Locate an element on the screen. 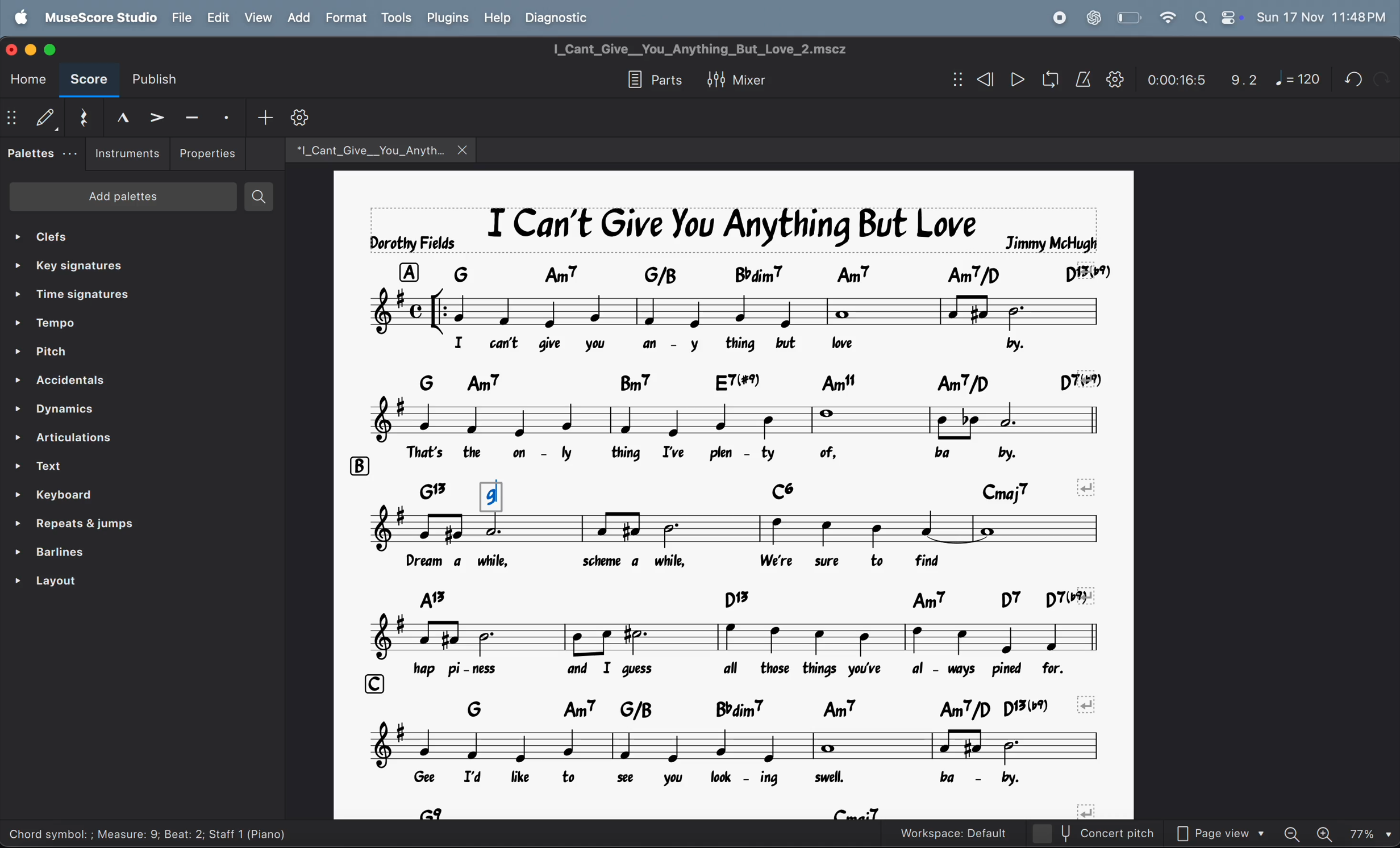 The image size is (1400, 848). search is located at coordinates (265, 197).